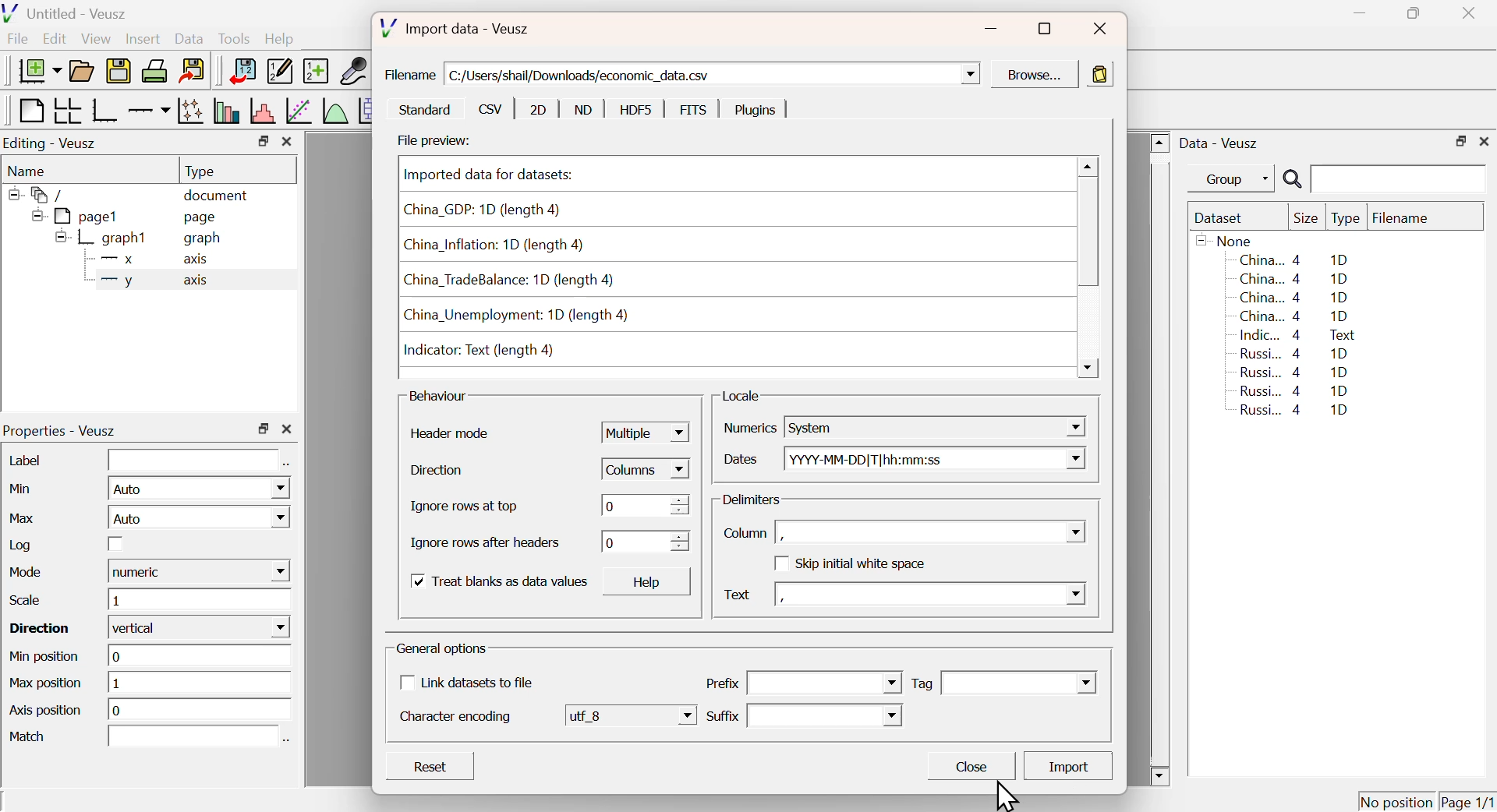 This screenshot has height=812, width=1497. I want to click on Group, so click(1236, 180).